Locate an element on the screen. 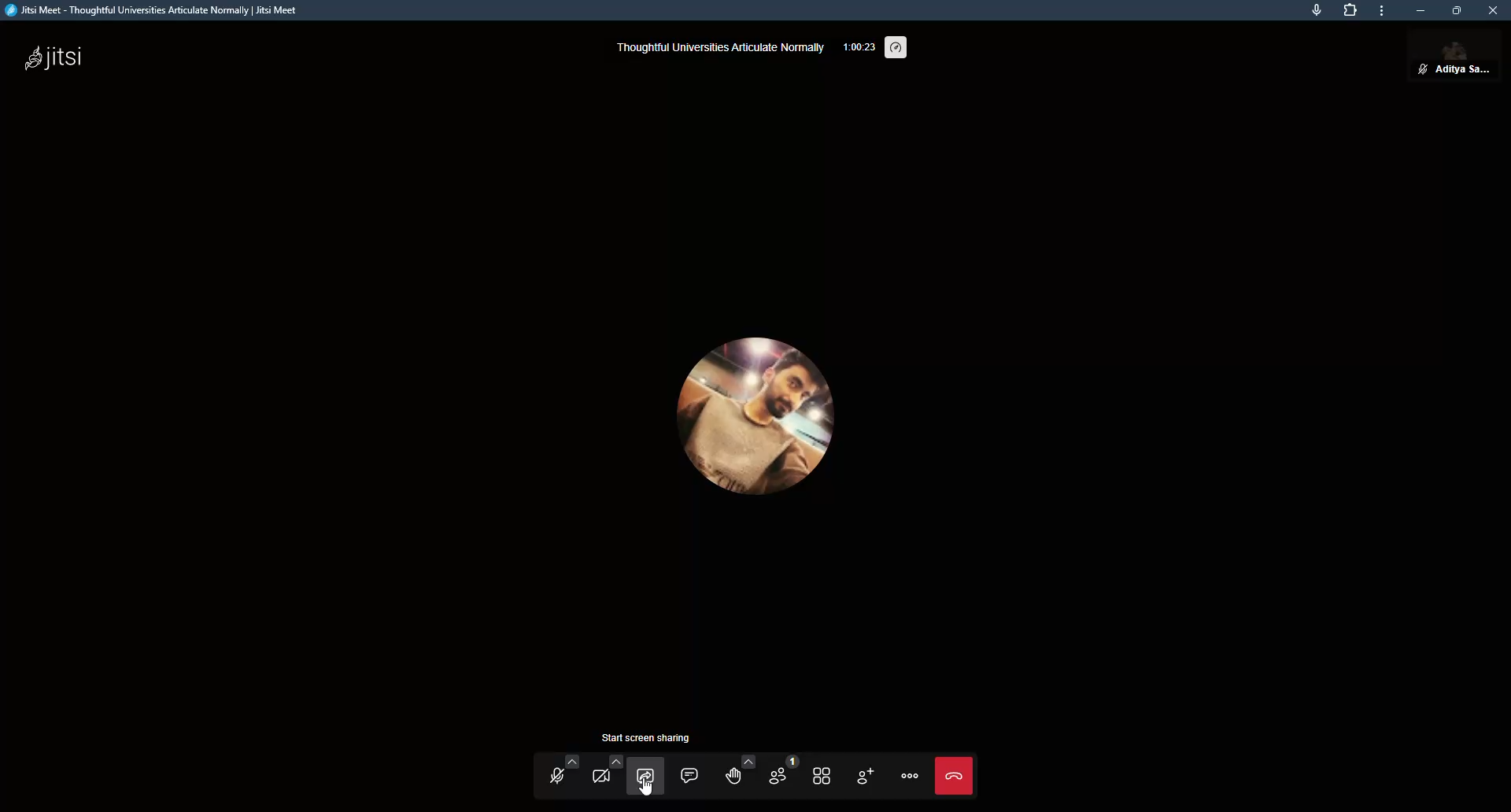 The width and height of the screenshot is (1511, 812). aditya sarkar is located at coordinates (1429, 61).